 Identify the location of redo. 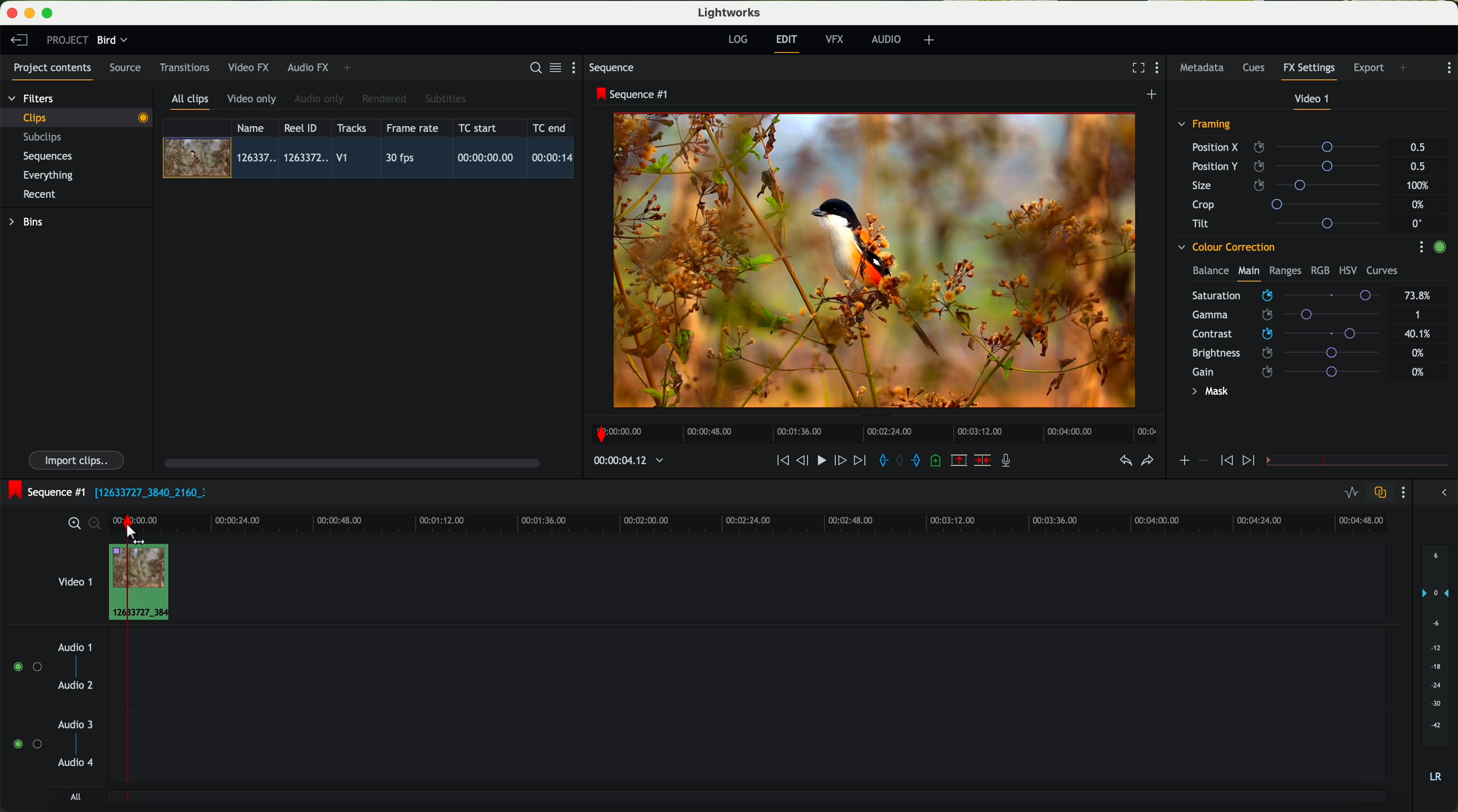
(1147, 462).